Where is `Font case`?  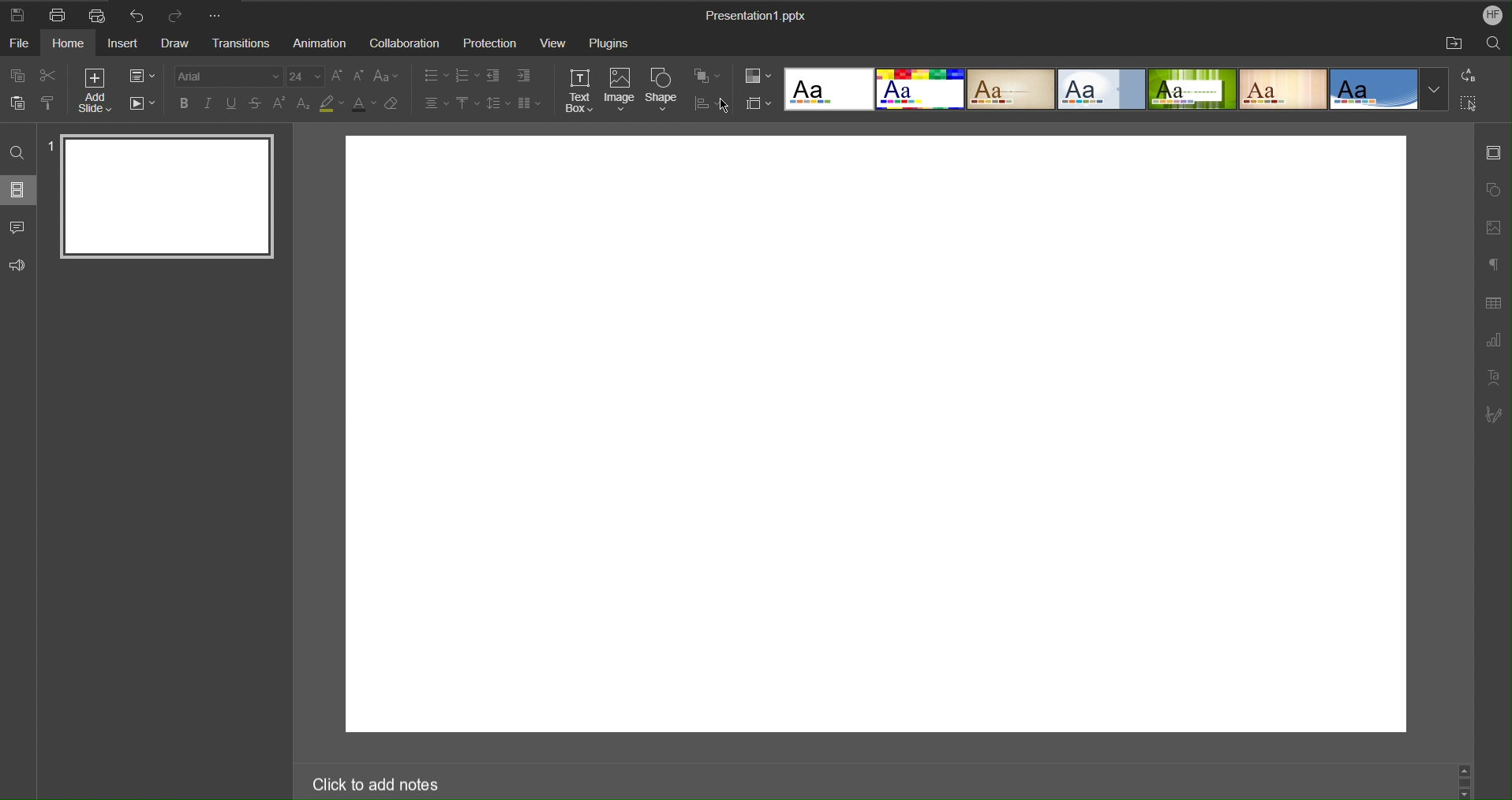
Font case is located at coordinates (387, 76).